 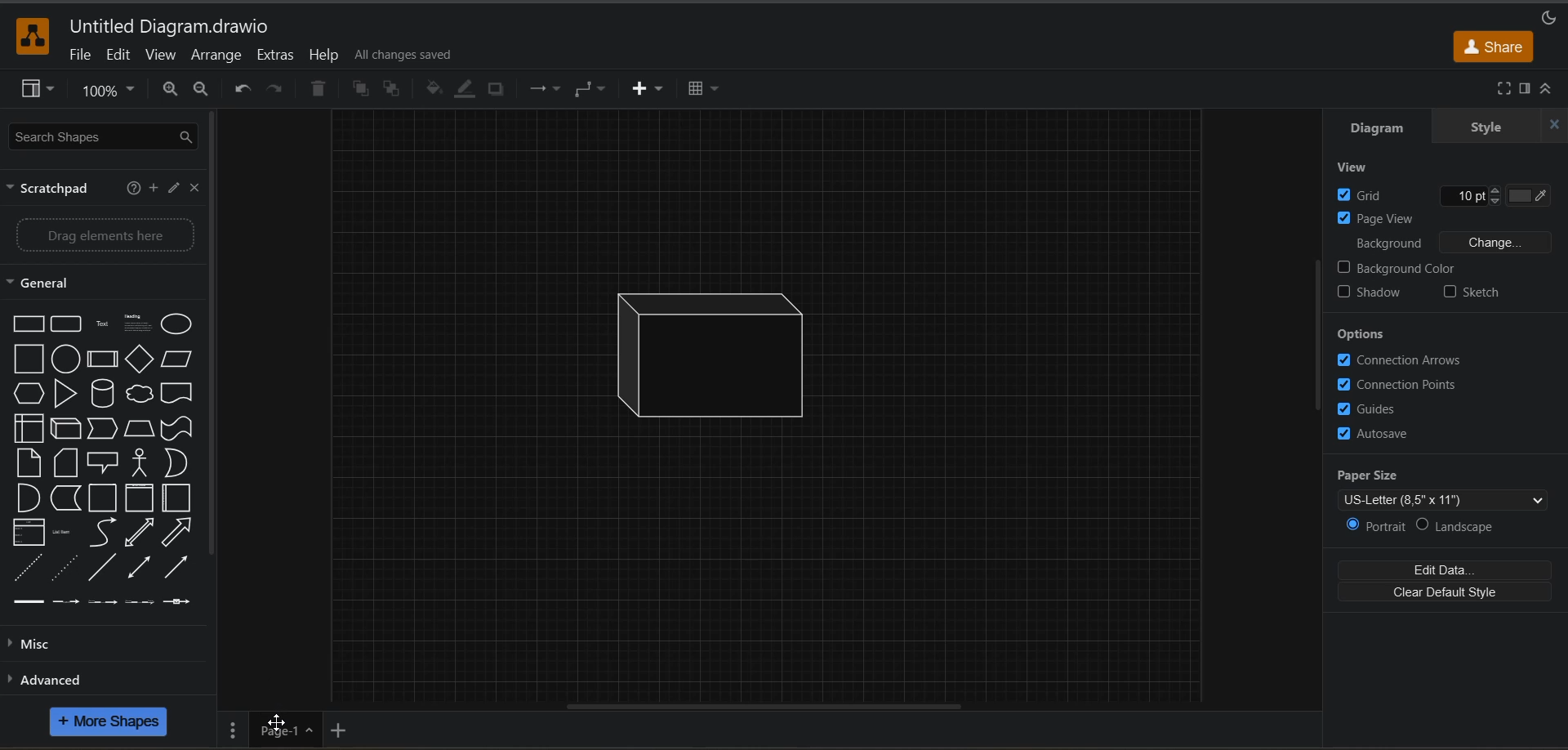 What do you see at coordinates (655, 90) in the screenshot?
I see `insert` at bounding box center [655, 90].